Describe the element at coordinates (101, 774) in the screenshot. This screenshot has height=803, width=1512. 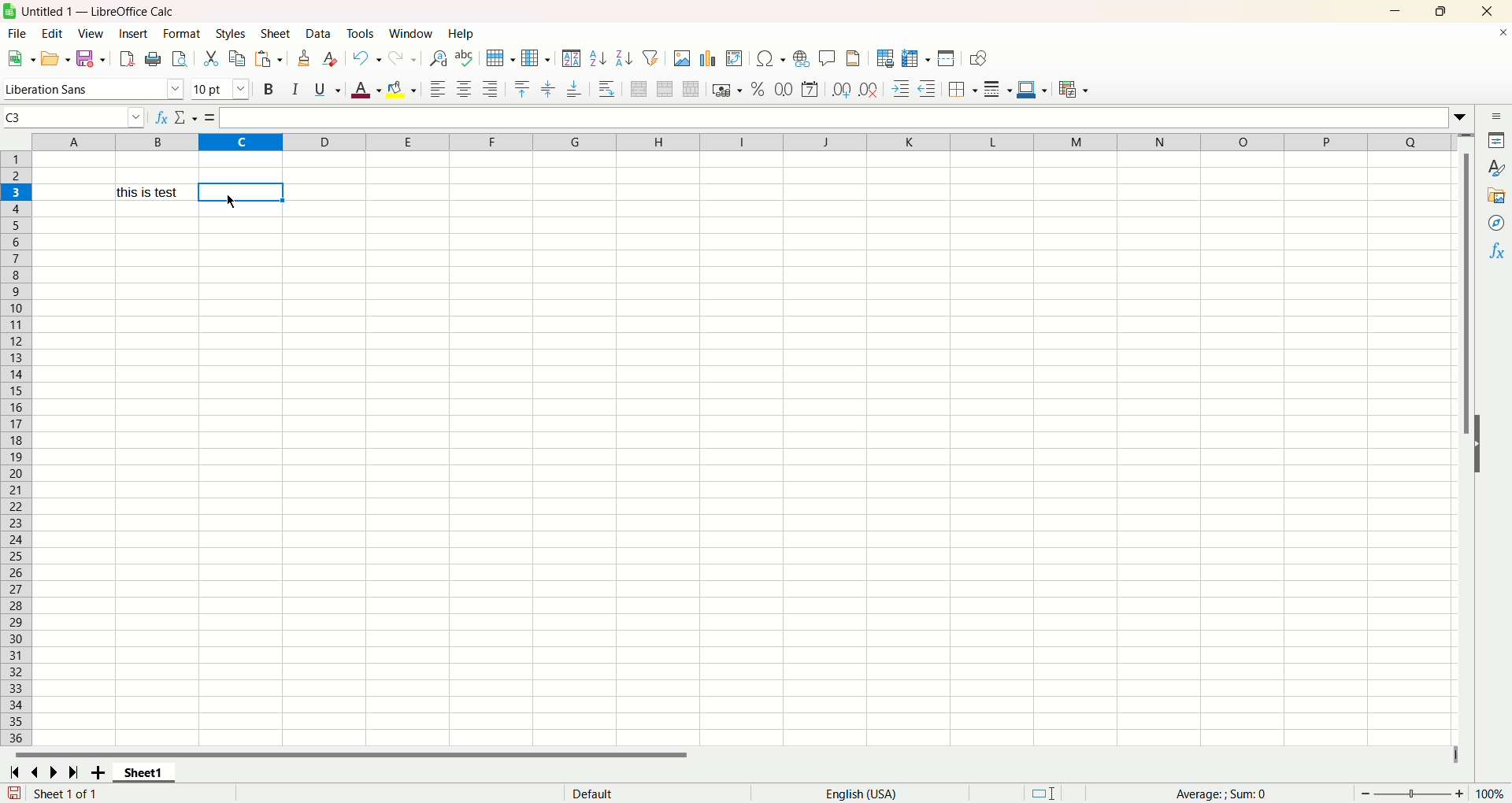
I see `new sheet` at that location.